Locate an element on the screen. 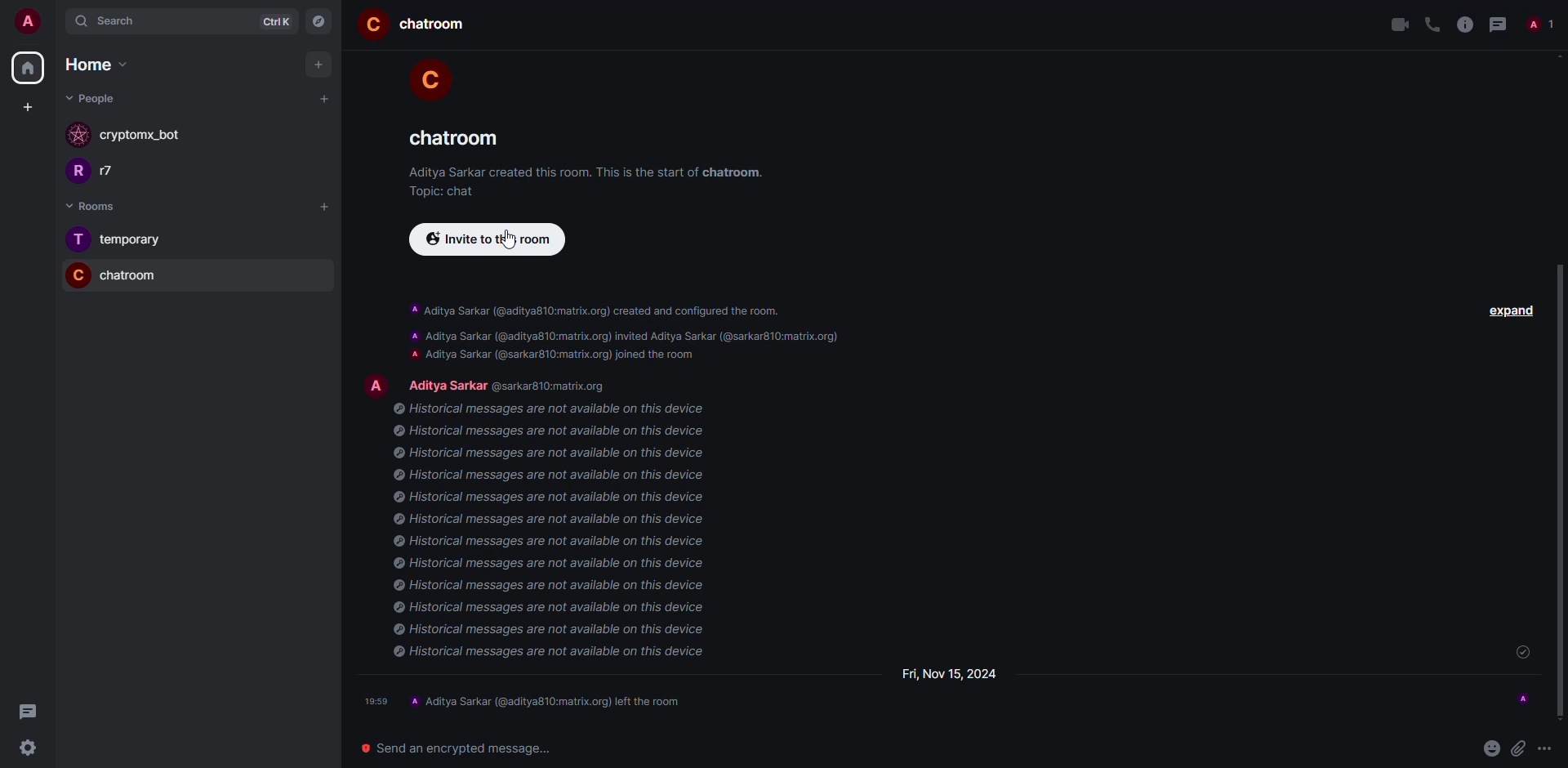 This screenshot has width=1568, height=768. left the room is located at coordinates (549, 700).